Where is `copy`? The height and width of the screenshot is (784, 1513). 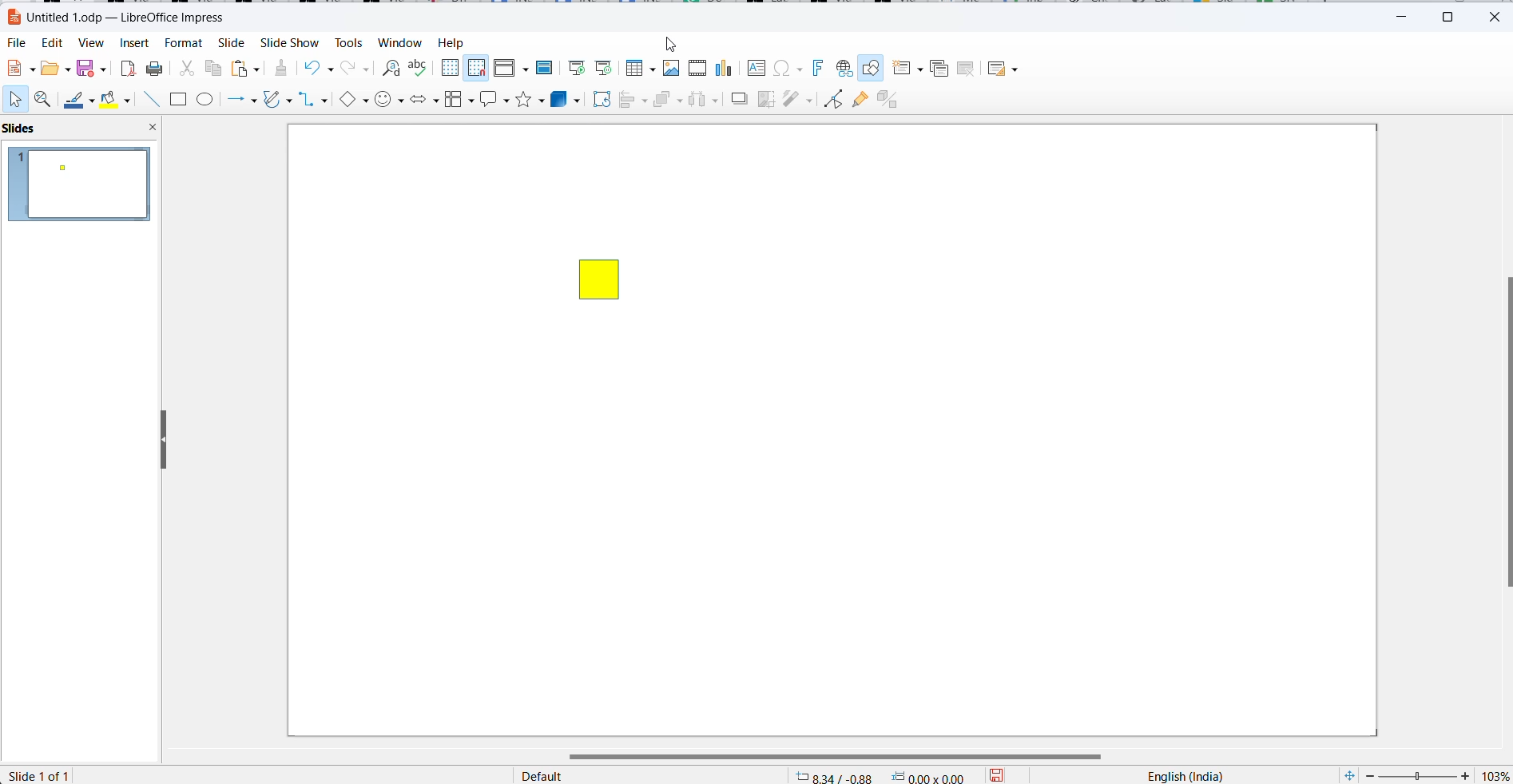 copy is located at coordinates (215, 69).